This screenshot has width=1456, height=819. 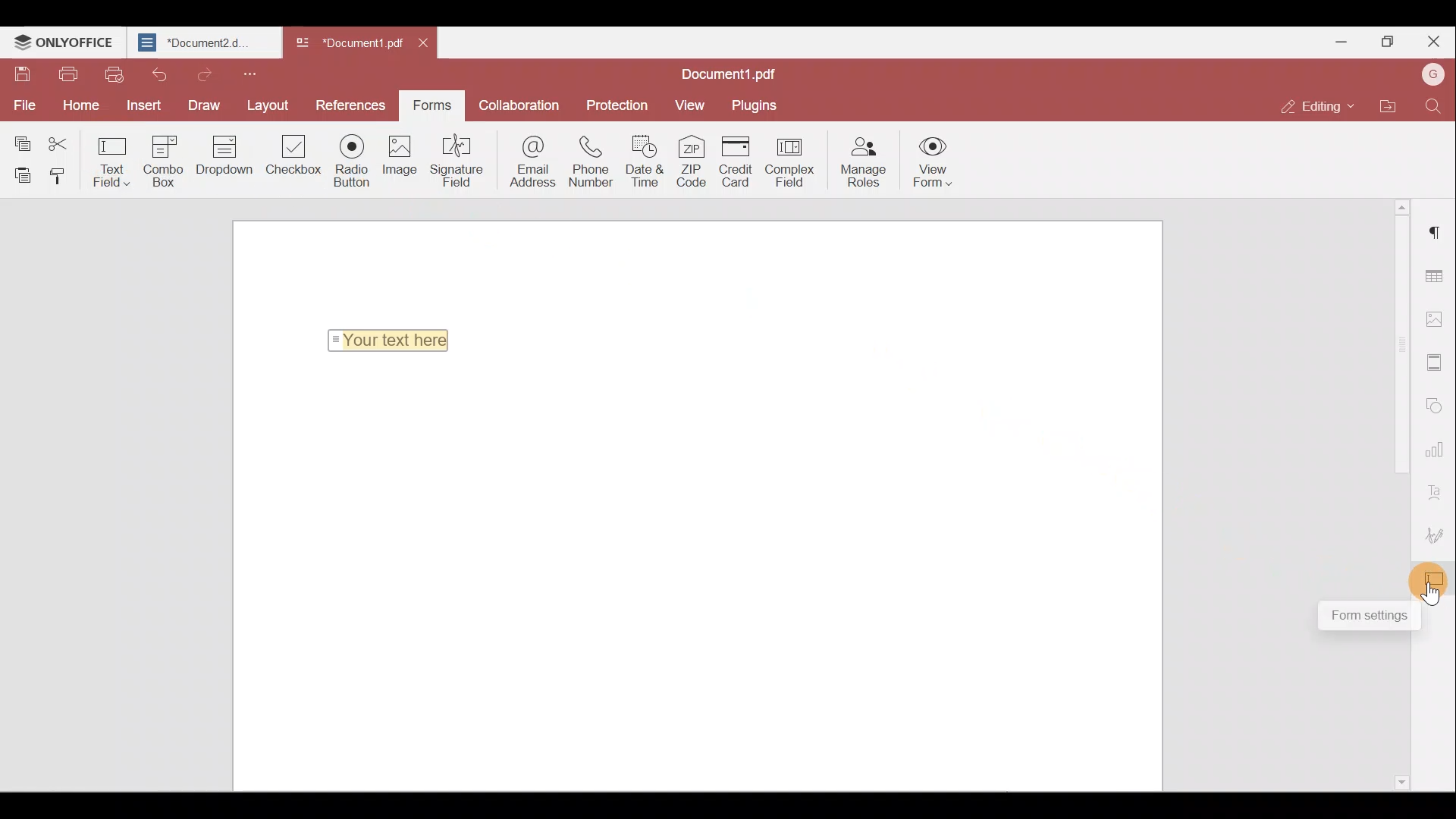 What do you see at coordinates (868, 163) in the screenshot?
I see `Manage roles` at bounding box center [868, 163].